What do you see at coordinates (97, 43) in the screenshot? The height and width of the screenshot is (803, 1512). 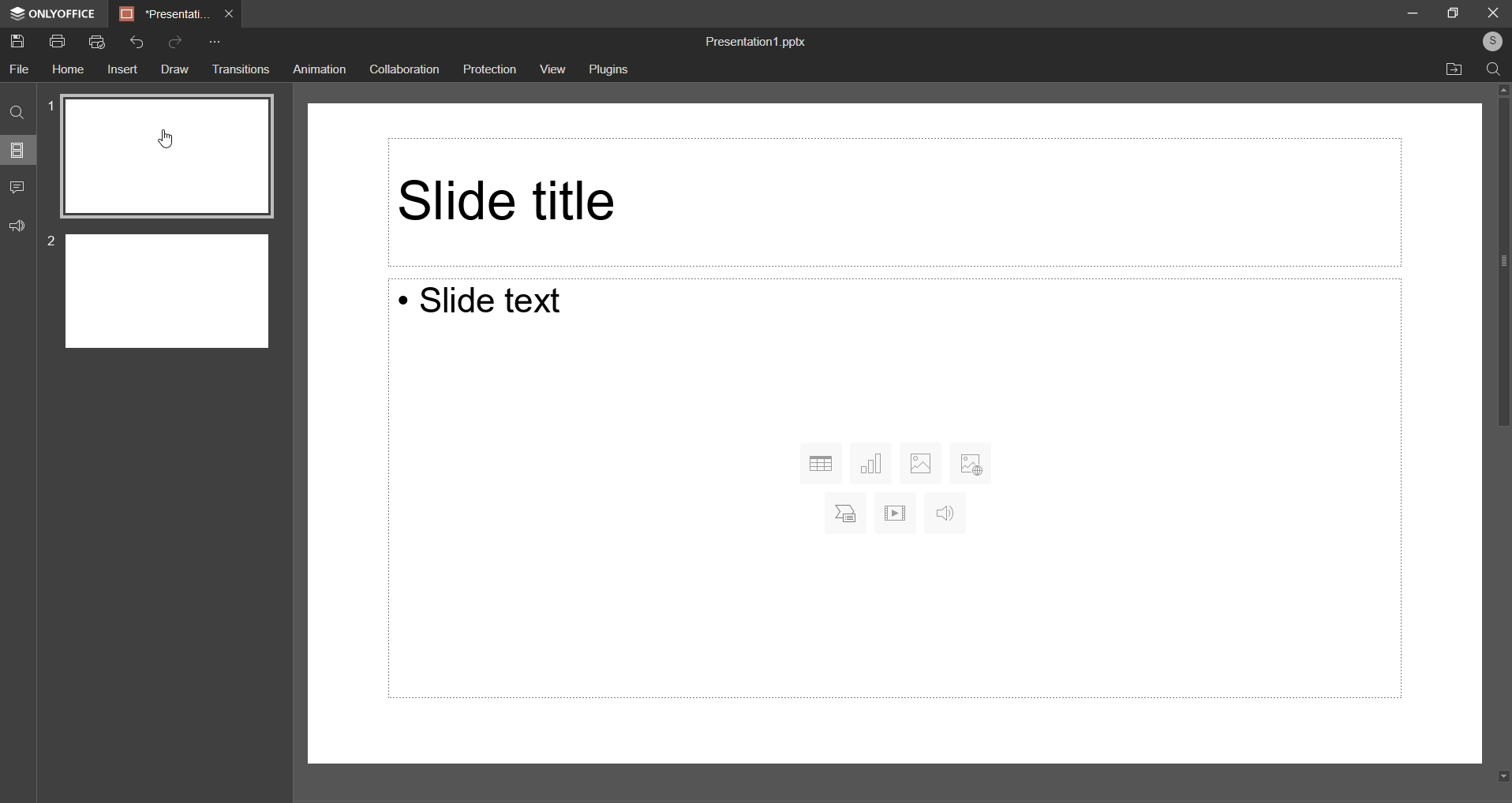 I see `Quick Print` at bounding box center [97, 43].